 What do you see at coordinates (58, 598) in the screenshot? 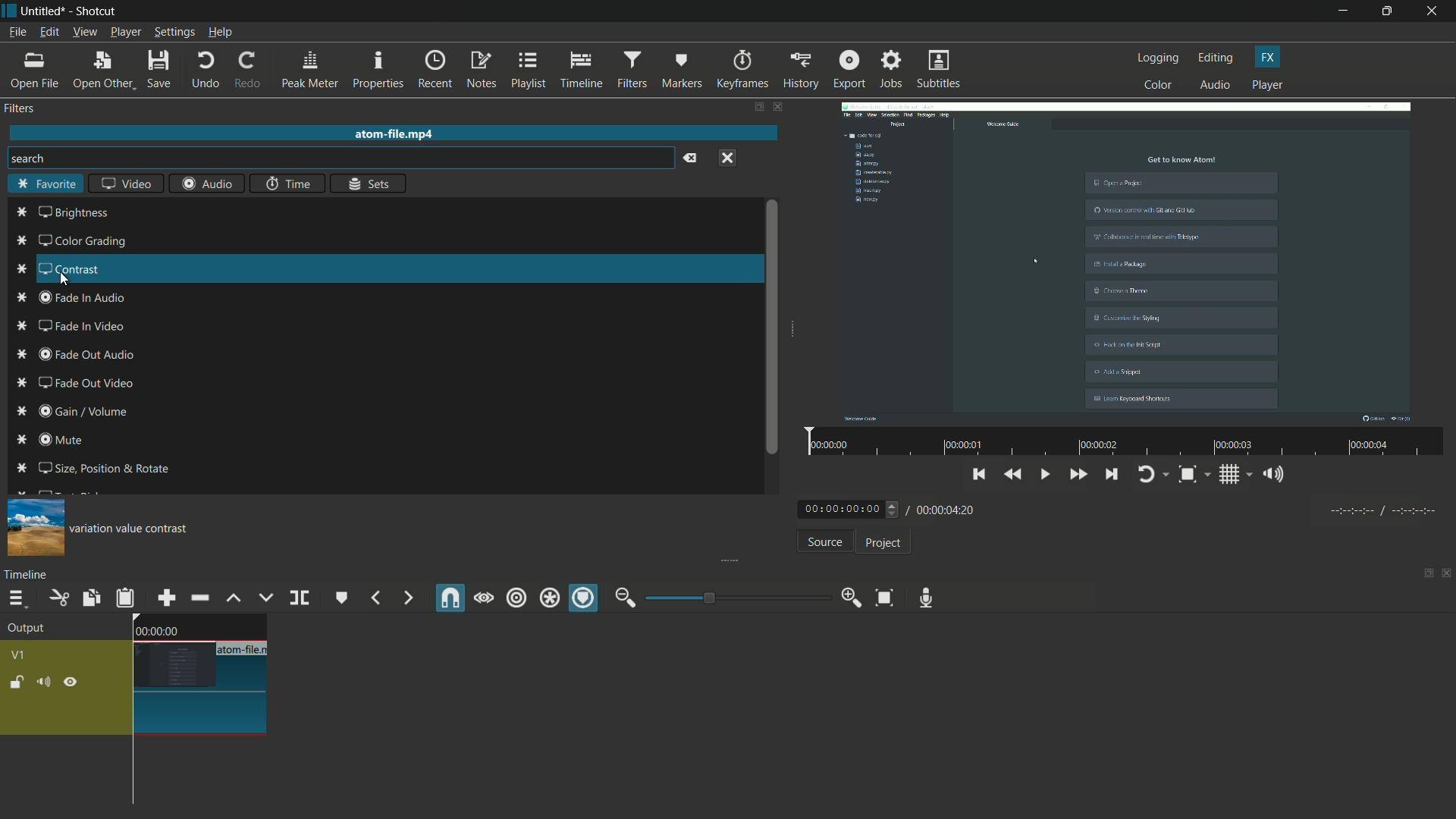
I see `cut` at bounding box center [58, 598].